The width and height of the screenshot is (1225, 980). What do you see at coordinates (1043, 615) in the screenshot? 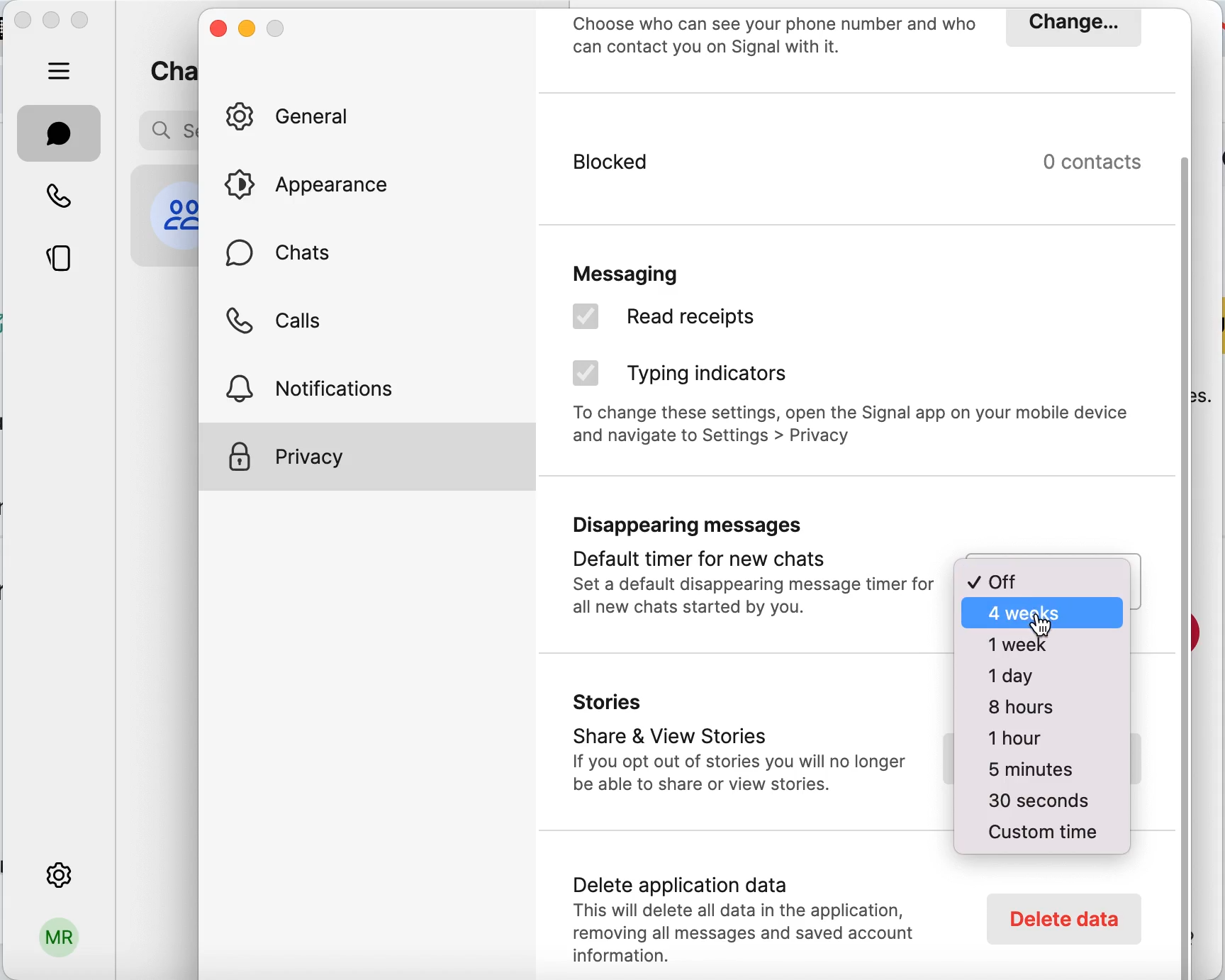
I see `4 weeks` at bounding box center [1043, 615].